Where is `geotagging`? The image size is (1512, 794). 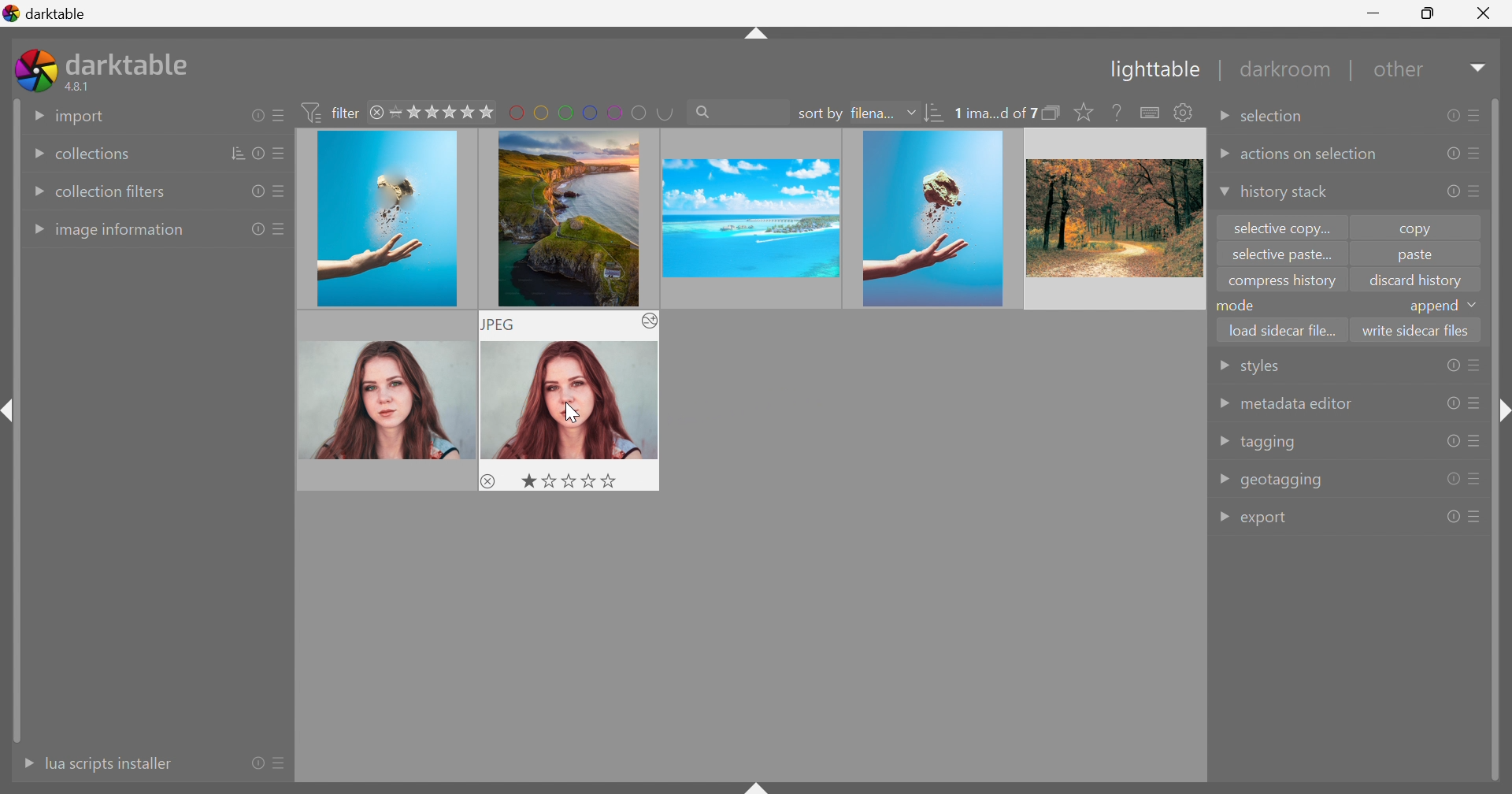
geotagging is located at coordinates (1283, 480).